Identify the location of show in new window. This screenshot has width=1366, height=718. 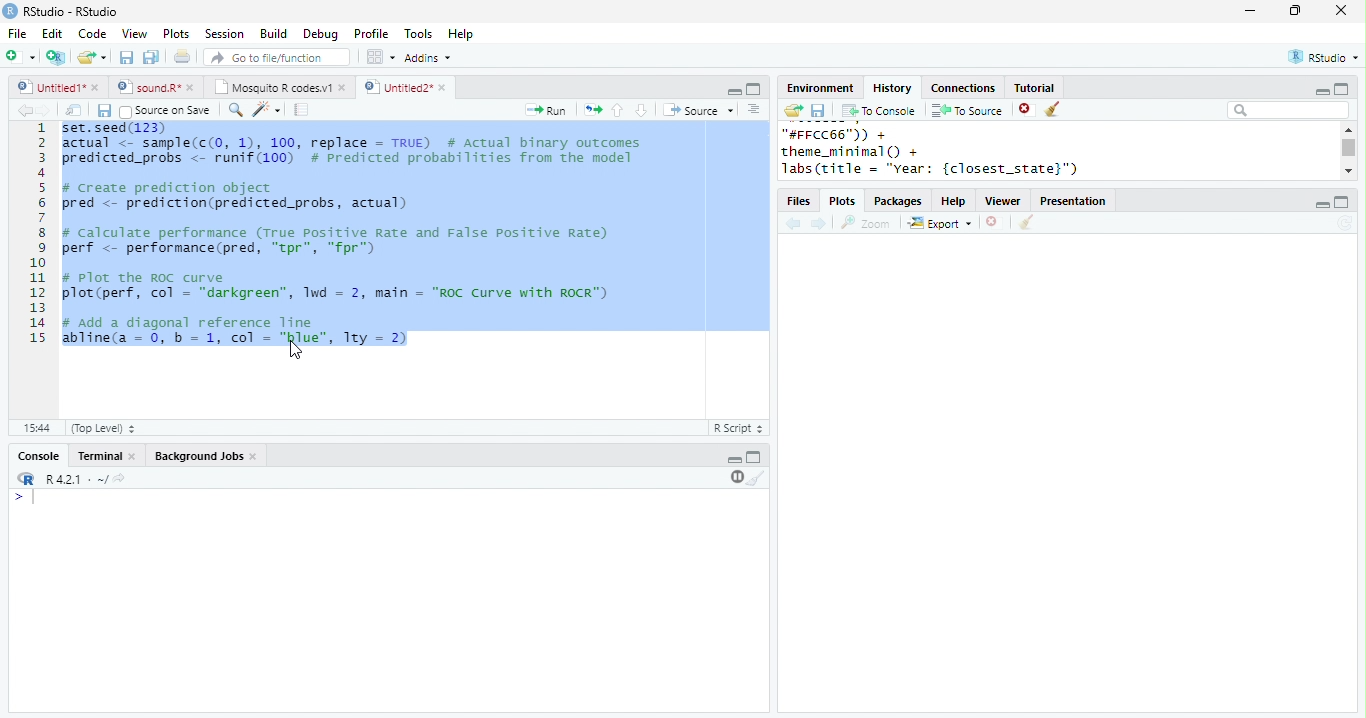
(75, 110).